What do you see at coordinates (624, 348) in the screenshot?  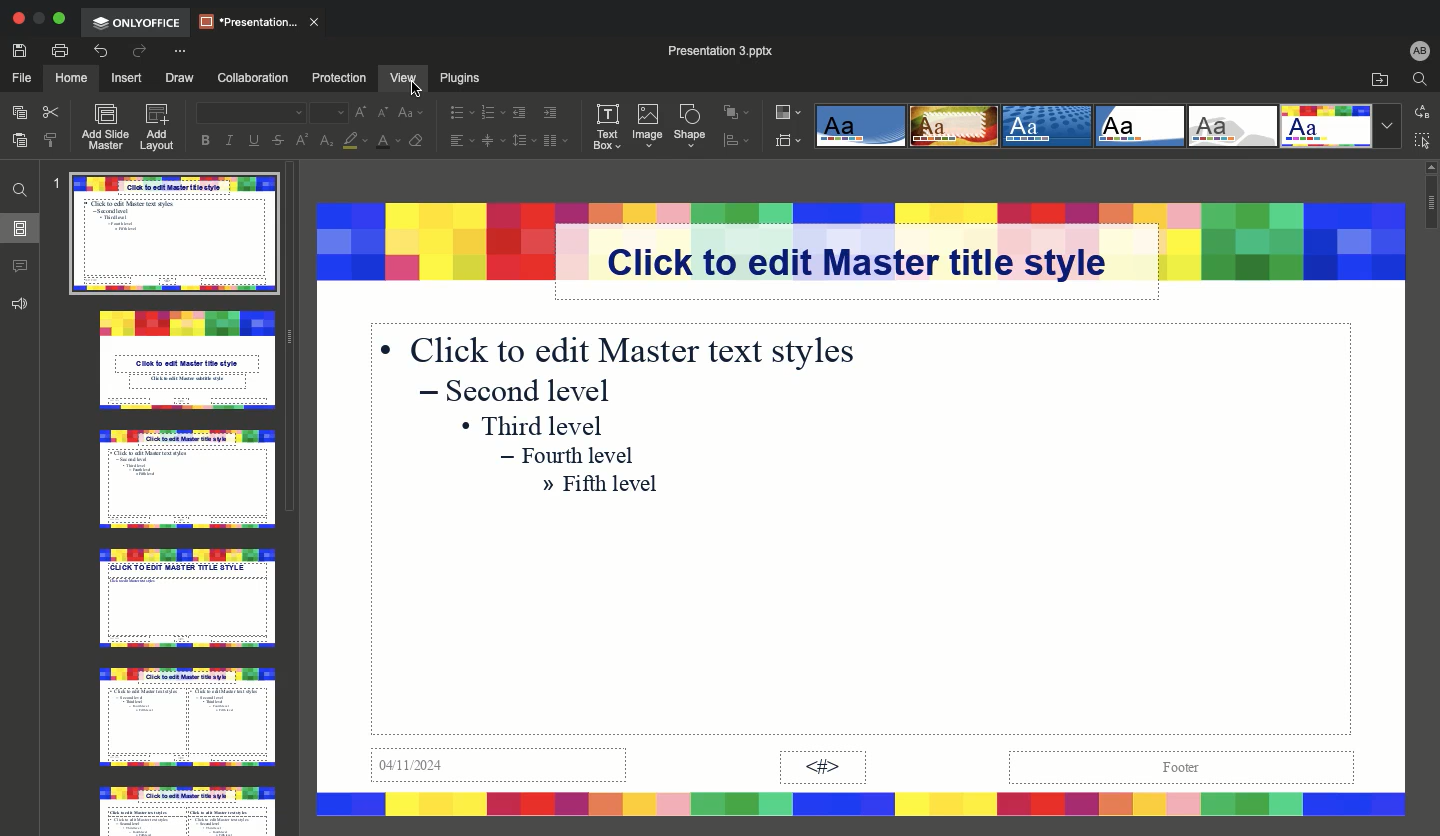 I see `¢ Click to edit Master text styles` at bounding box center [624, 348].